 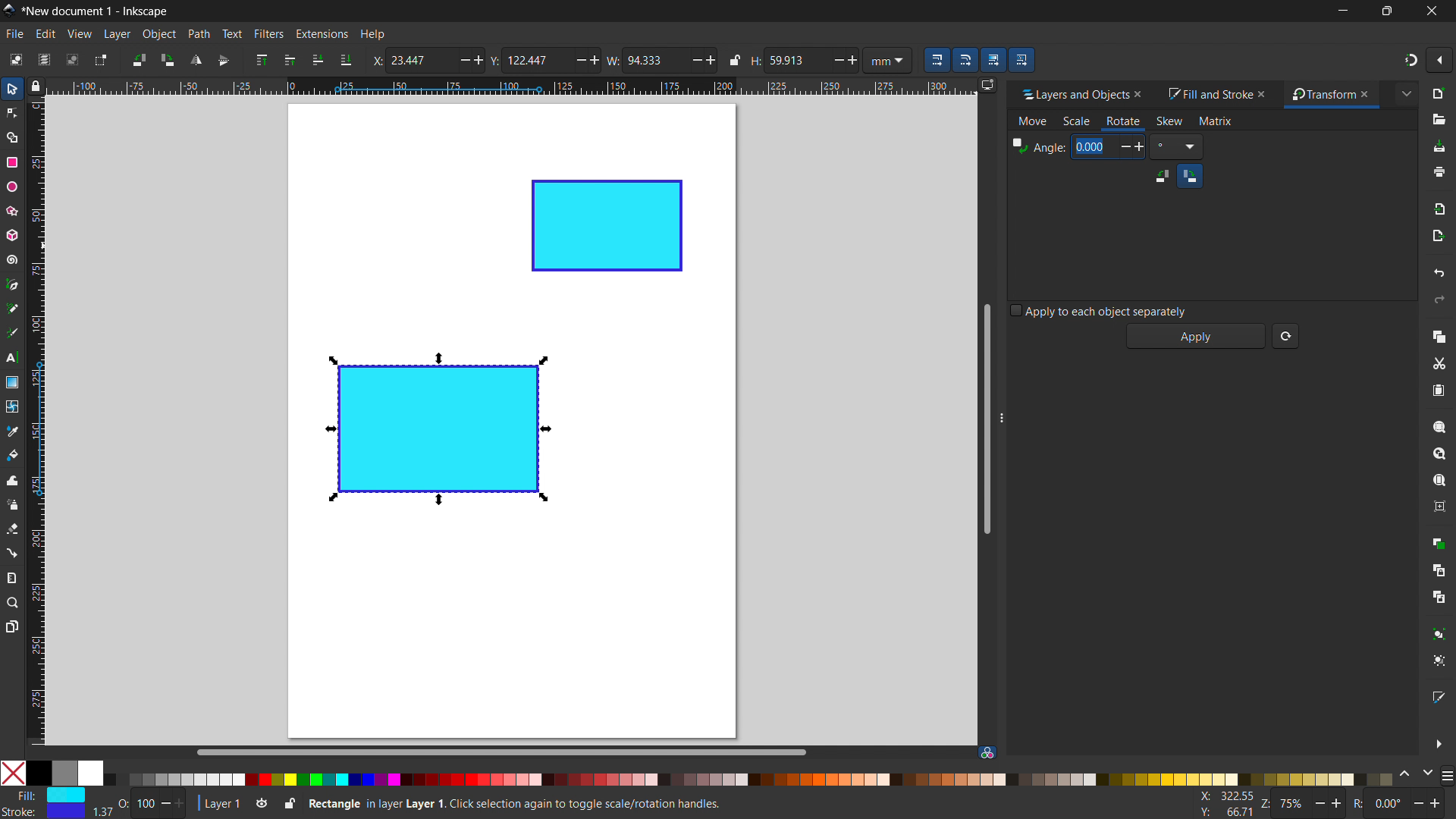 What do you see at coordinates (1005, 413) in the screenshot?
I see `resize` at bounding box center [1005, 413].